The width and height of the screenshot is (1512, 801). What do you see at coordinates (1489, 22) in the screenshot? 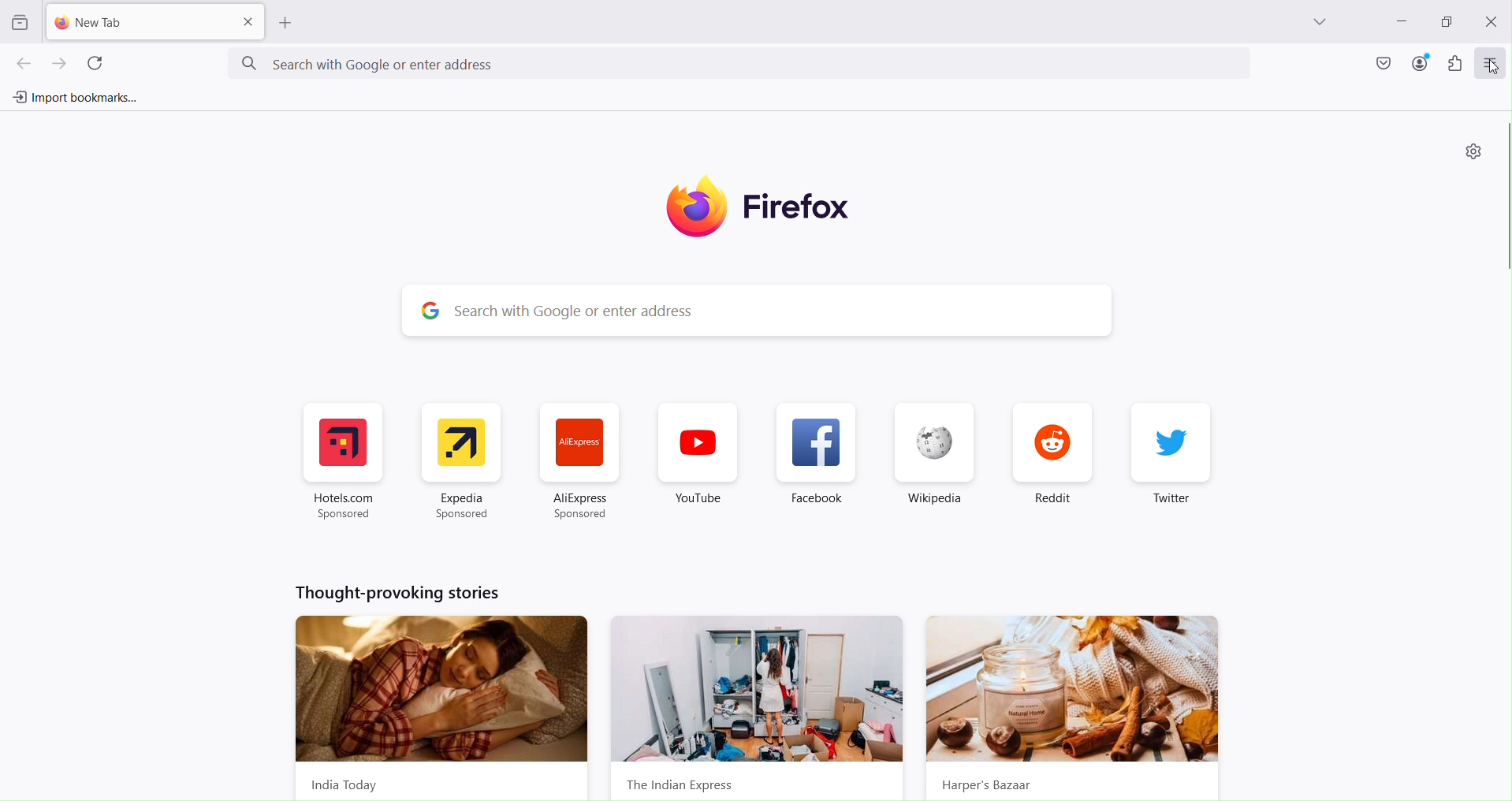
I see `Close` at bounding box center [1489, 22].